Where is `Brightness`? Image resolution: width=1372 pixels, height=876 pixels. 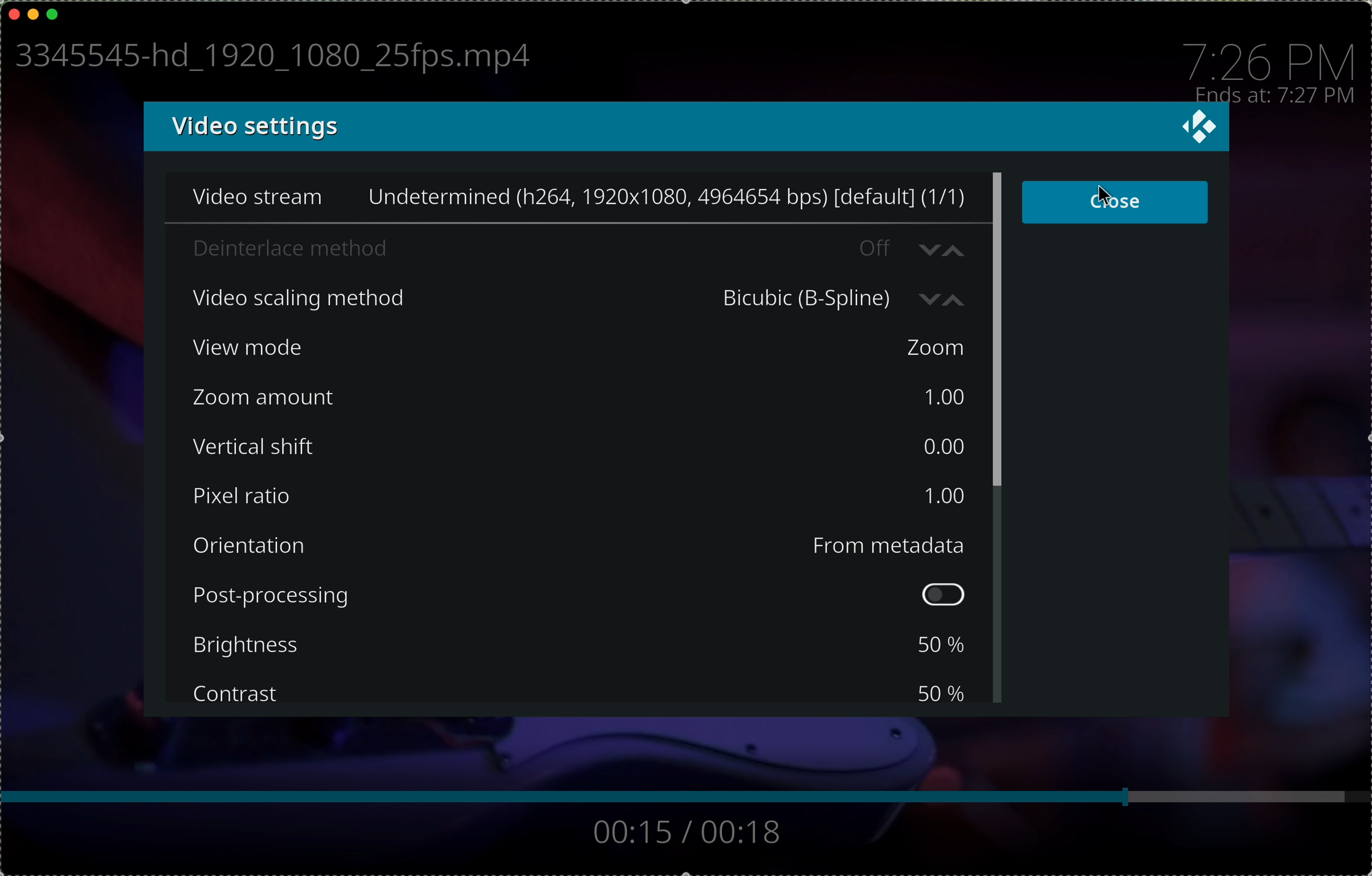 Brightness is located at coordinates (276, 646).